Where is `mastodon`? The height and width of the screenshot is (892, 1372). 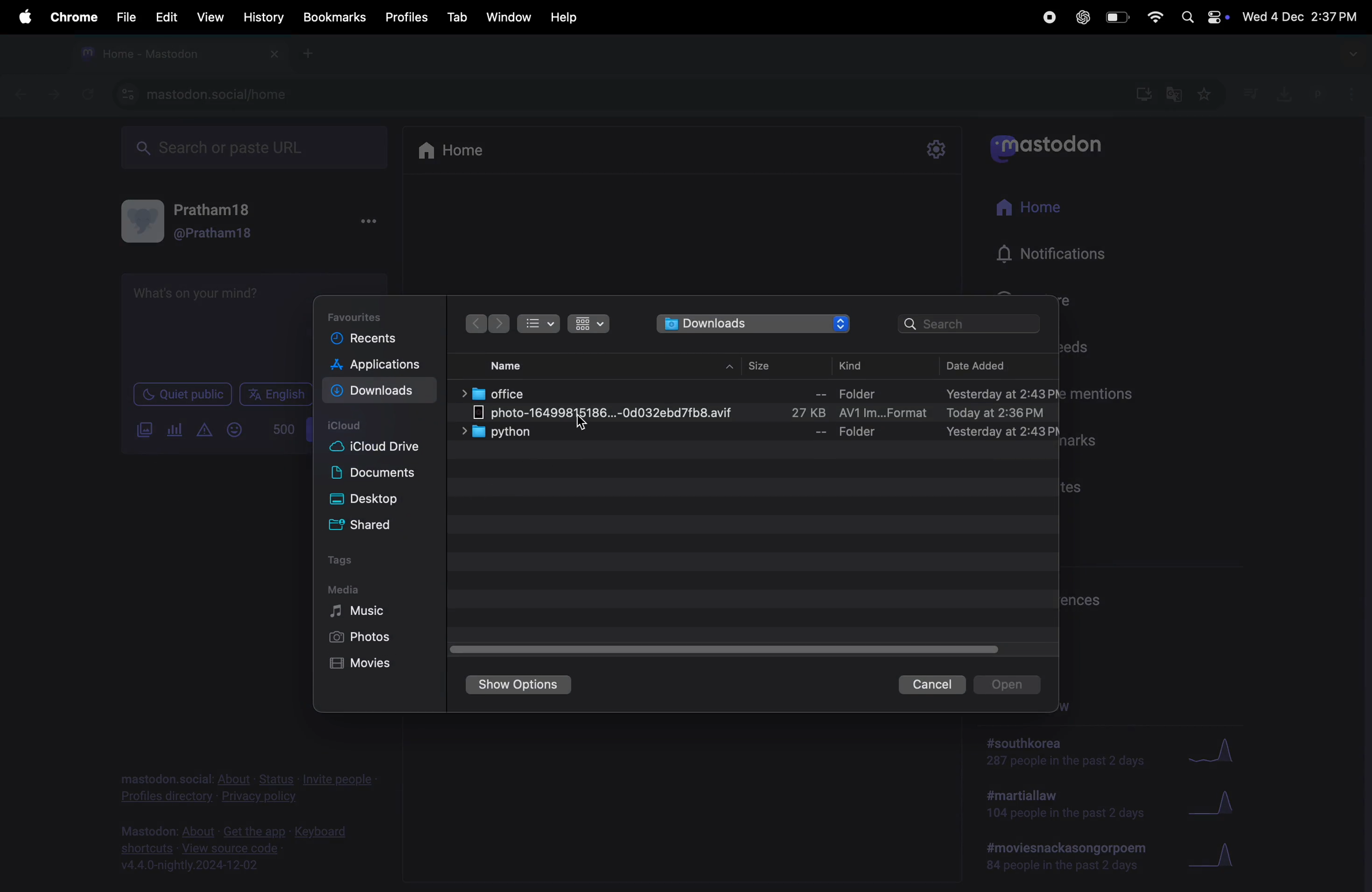
mastodon is located at coordinates (1046, 144).